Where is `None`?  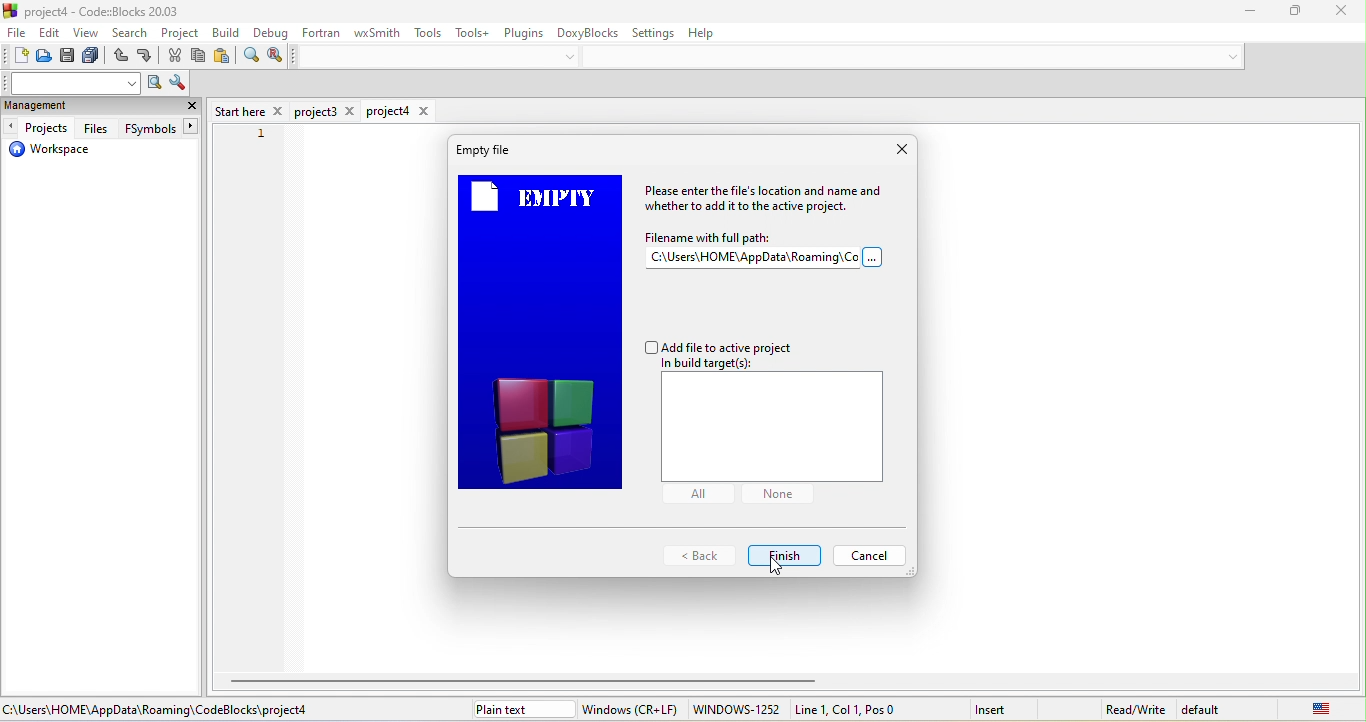 None is located at coordinates (775, 494).